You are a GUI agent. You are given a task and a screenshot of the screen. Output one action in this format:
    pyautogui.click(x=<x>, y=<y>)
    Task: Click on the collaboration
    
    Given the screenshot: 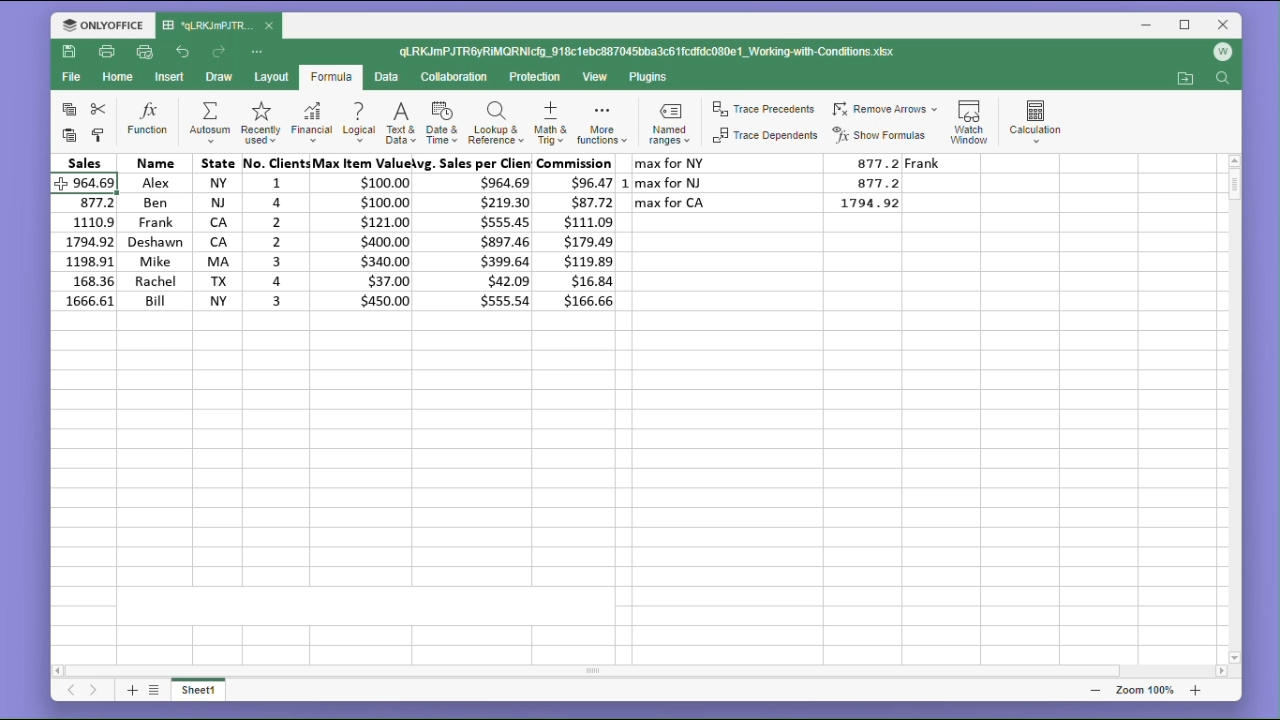 What is the action you would take?
    pyautogui.click(x=458, y=78)
    